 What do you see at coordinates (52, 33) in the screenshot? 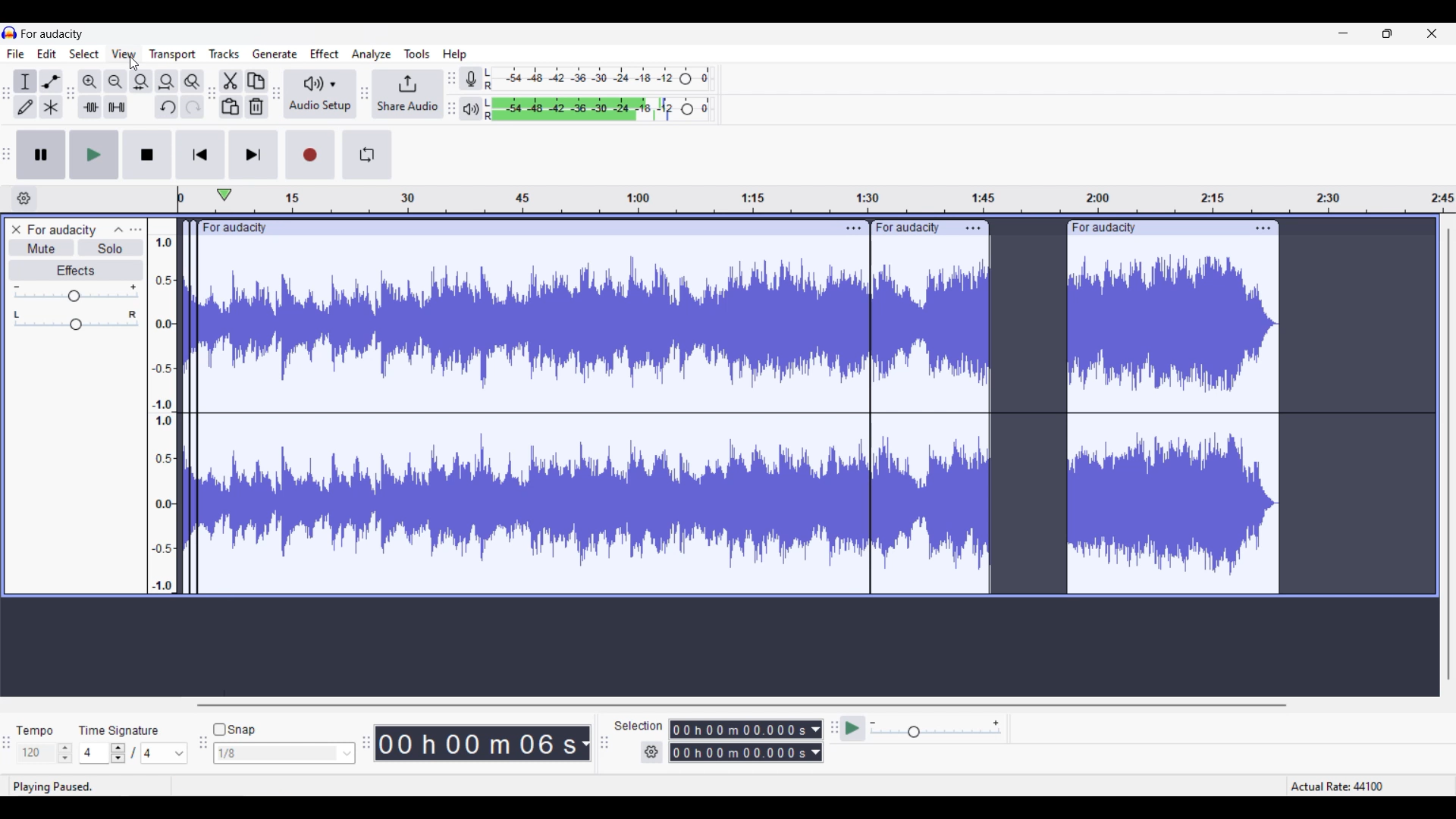
I see `For audacity` at bounding box center [52, 33].